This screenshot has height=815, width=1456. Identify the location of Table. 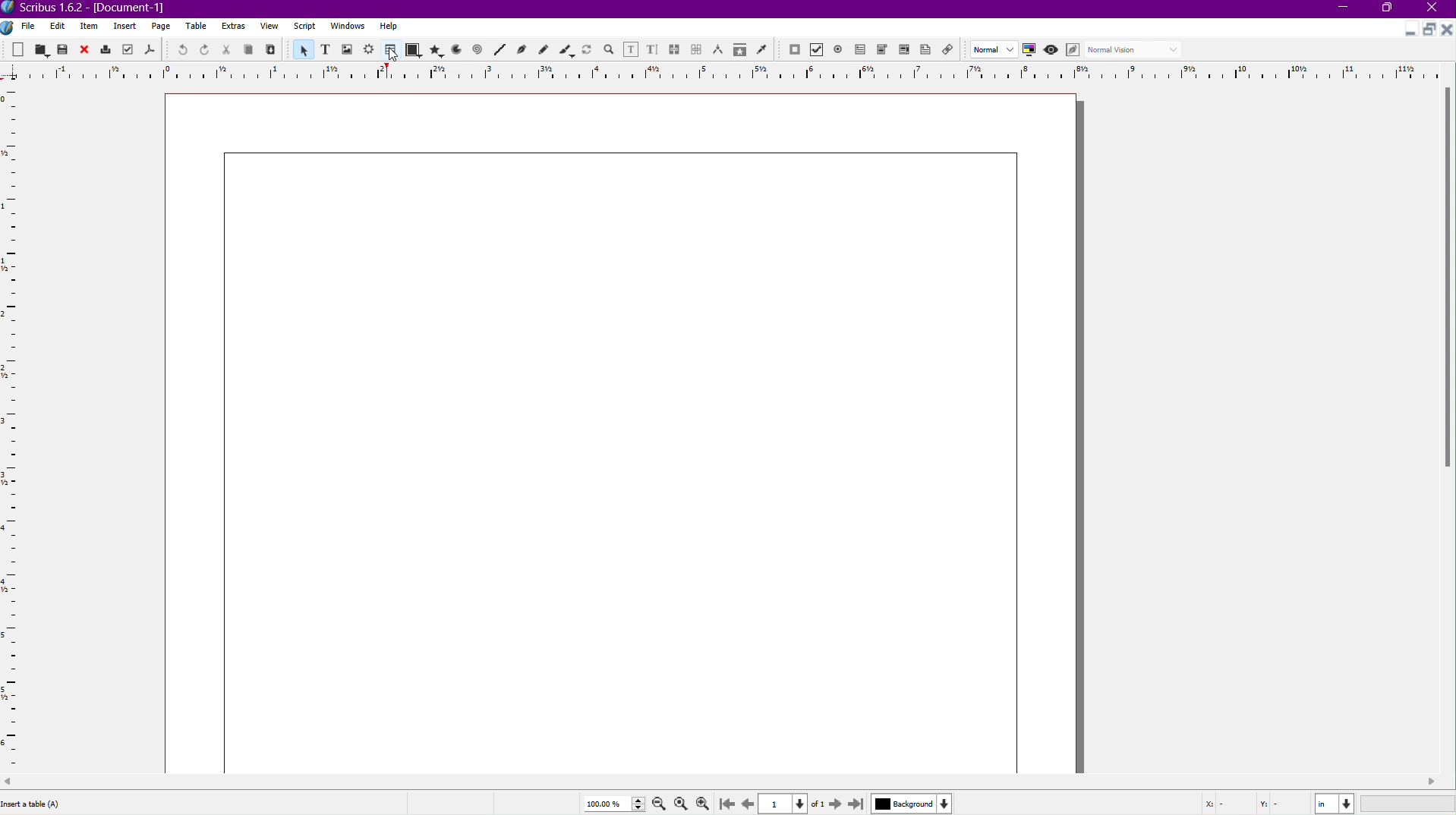
(198, 27).